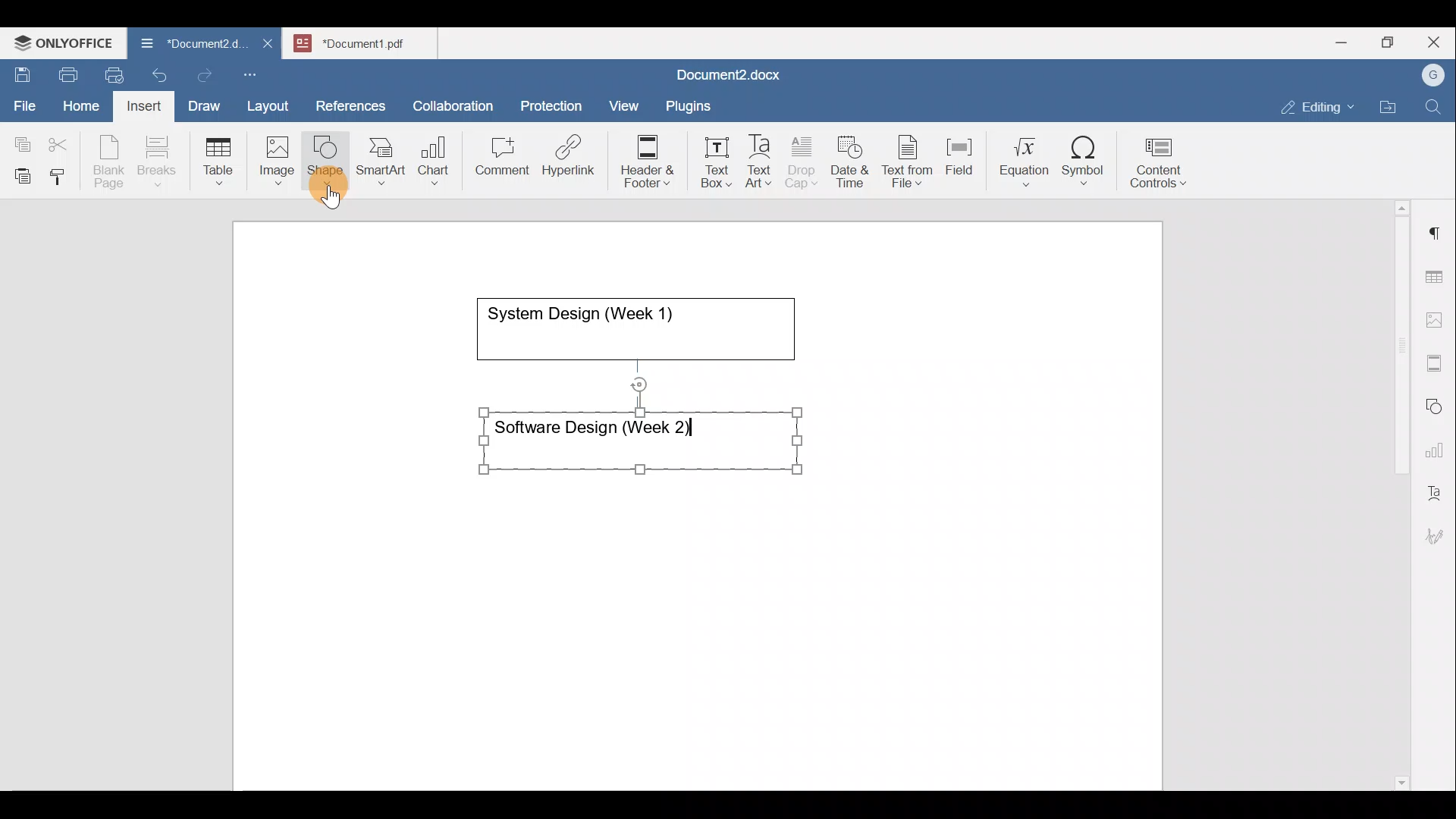 The height and width of the screenshot is (819, 1456). Describe the element at coordinates (693, 104) in the screenshot. I see `Plugins` at that location.